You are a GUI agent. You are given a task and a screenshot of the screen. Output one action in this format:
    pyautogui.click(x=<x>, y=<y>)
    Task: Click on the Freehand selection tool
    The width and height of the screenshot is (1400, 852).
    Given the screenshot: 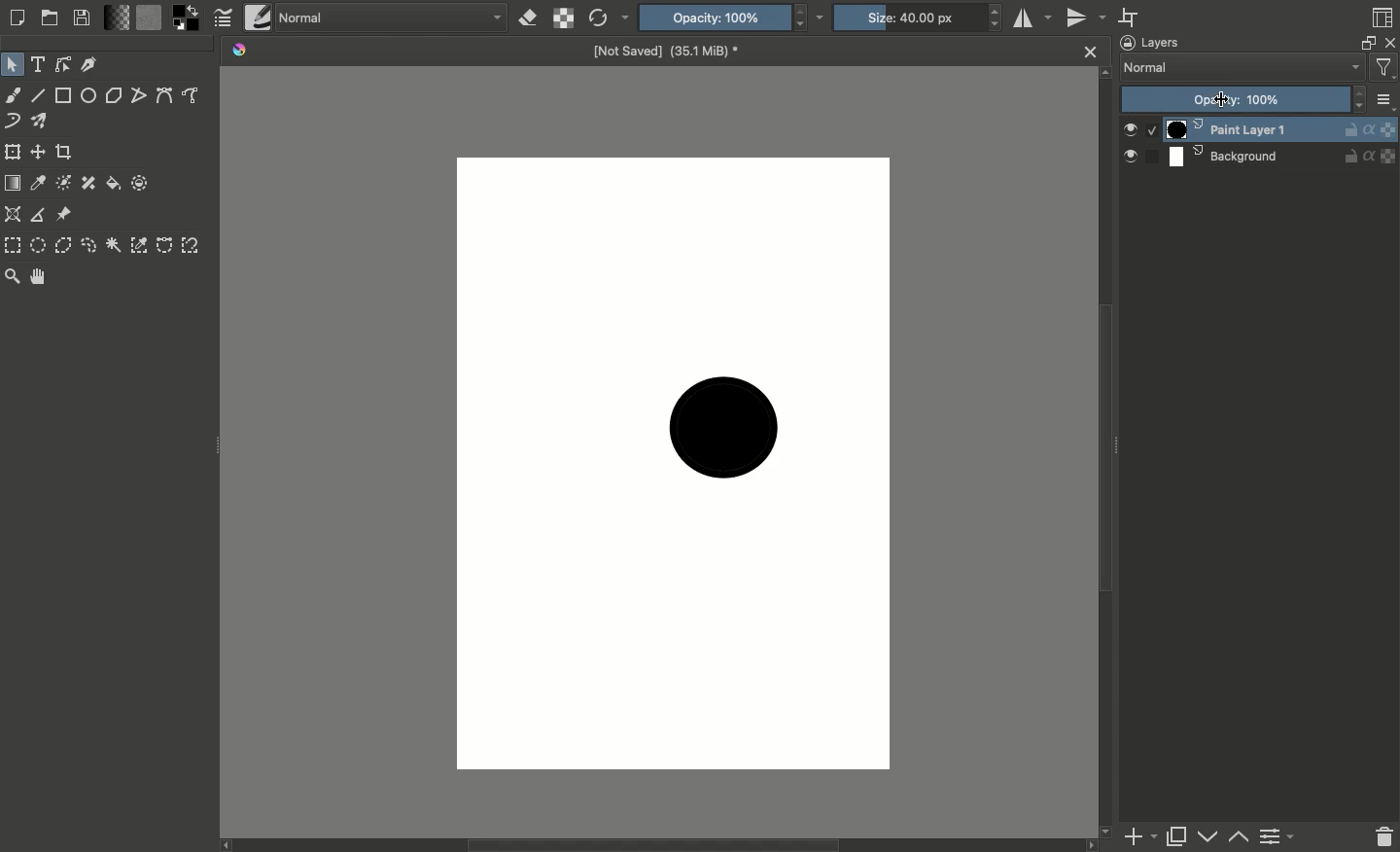 What is the action you would take?
    pyautogui.click(x=88, y=245)
    